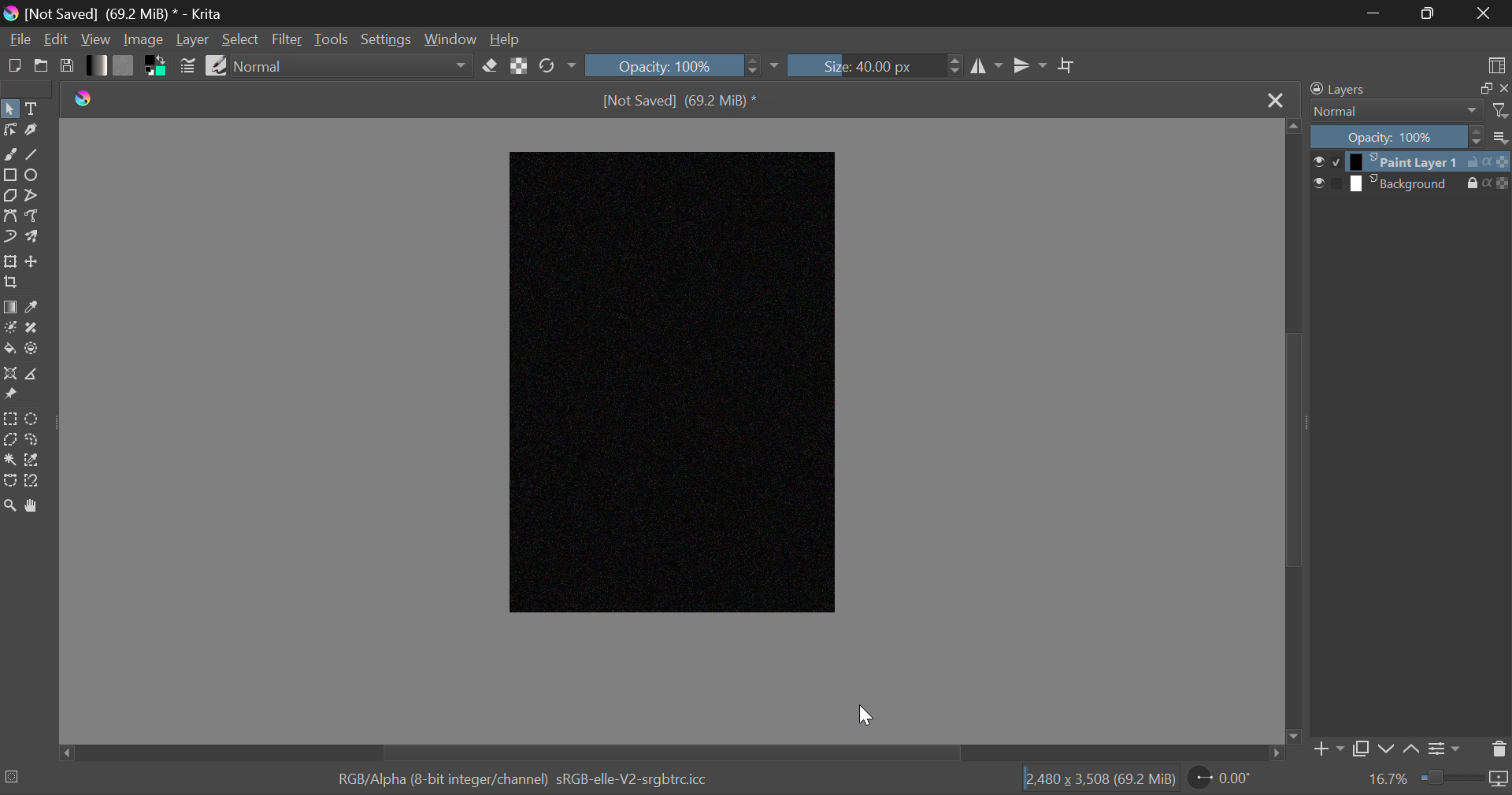 Image resolution: width=1512 pixels, height=795 pixels. Describe the element at coordinates (1067, 66) in the screenshot. I see `Crop` at that location.